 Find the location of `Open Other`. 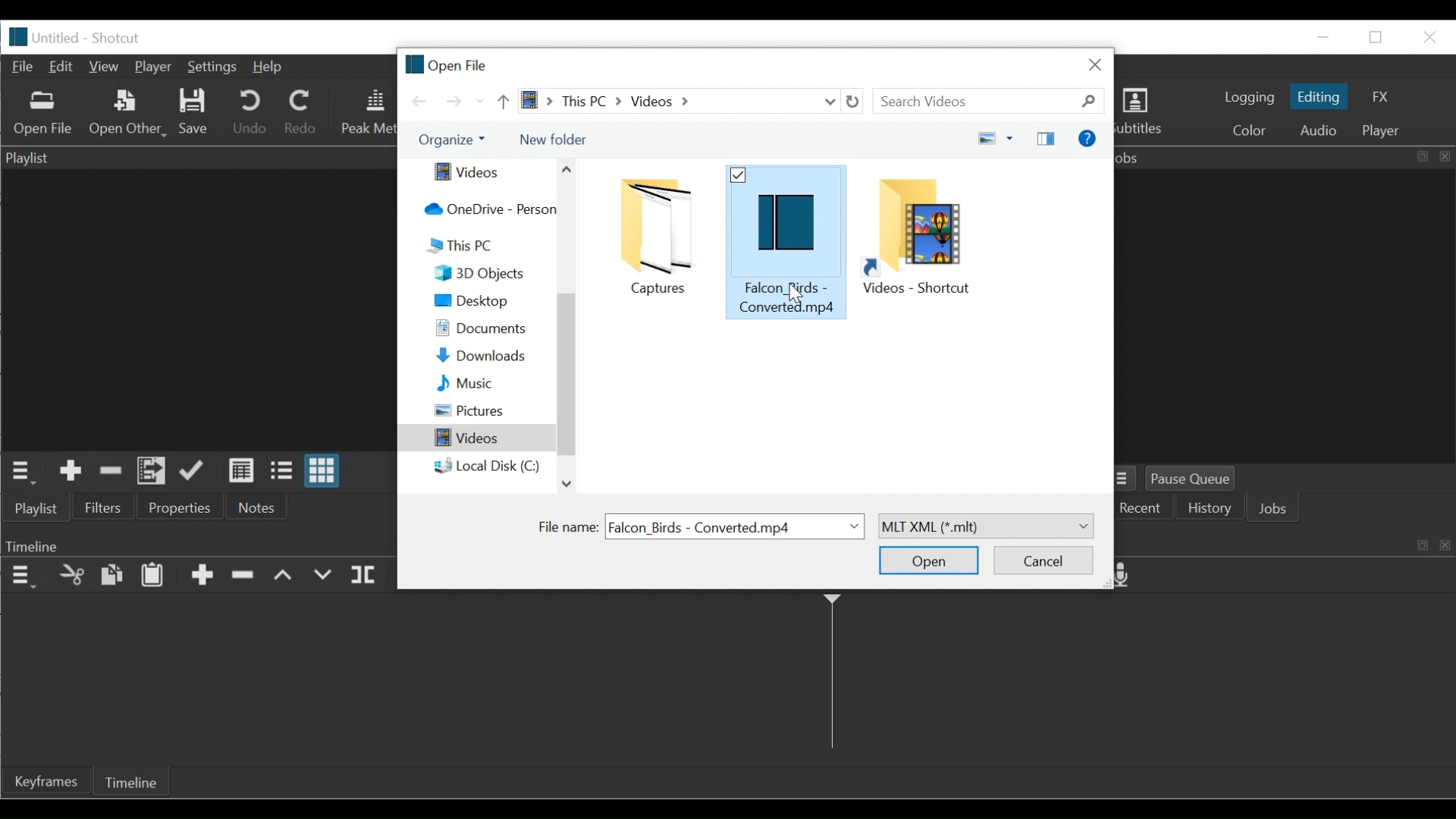

Open Other is located at coordinates (125, 112).